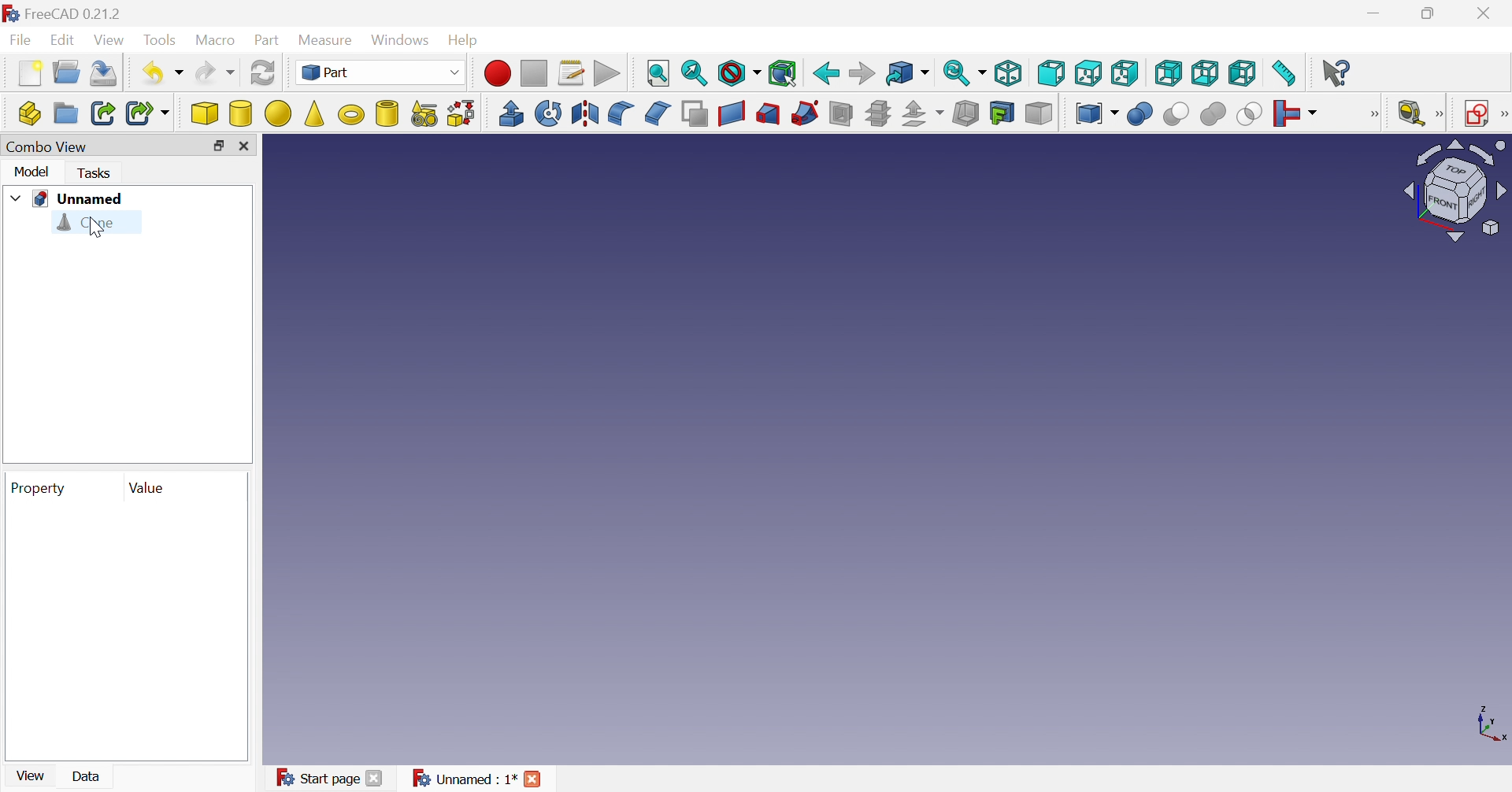 This screenshot has height=792, width=1512. I want to click on Part, so click(268, 39).